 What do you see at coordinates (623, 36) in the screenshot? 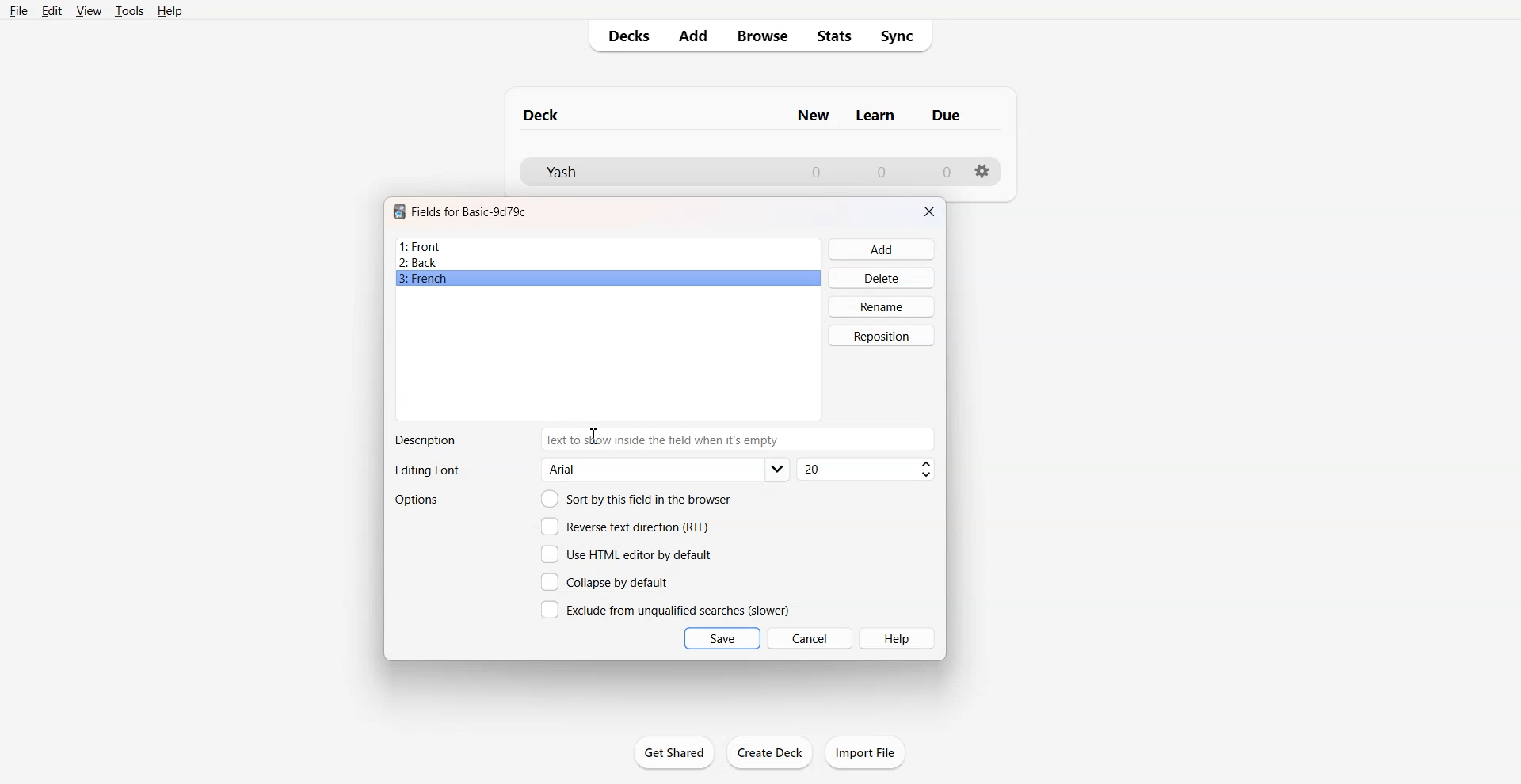
I see `Decks` at bounding box center [623, 36].